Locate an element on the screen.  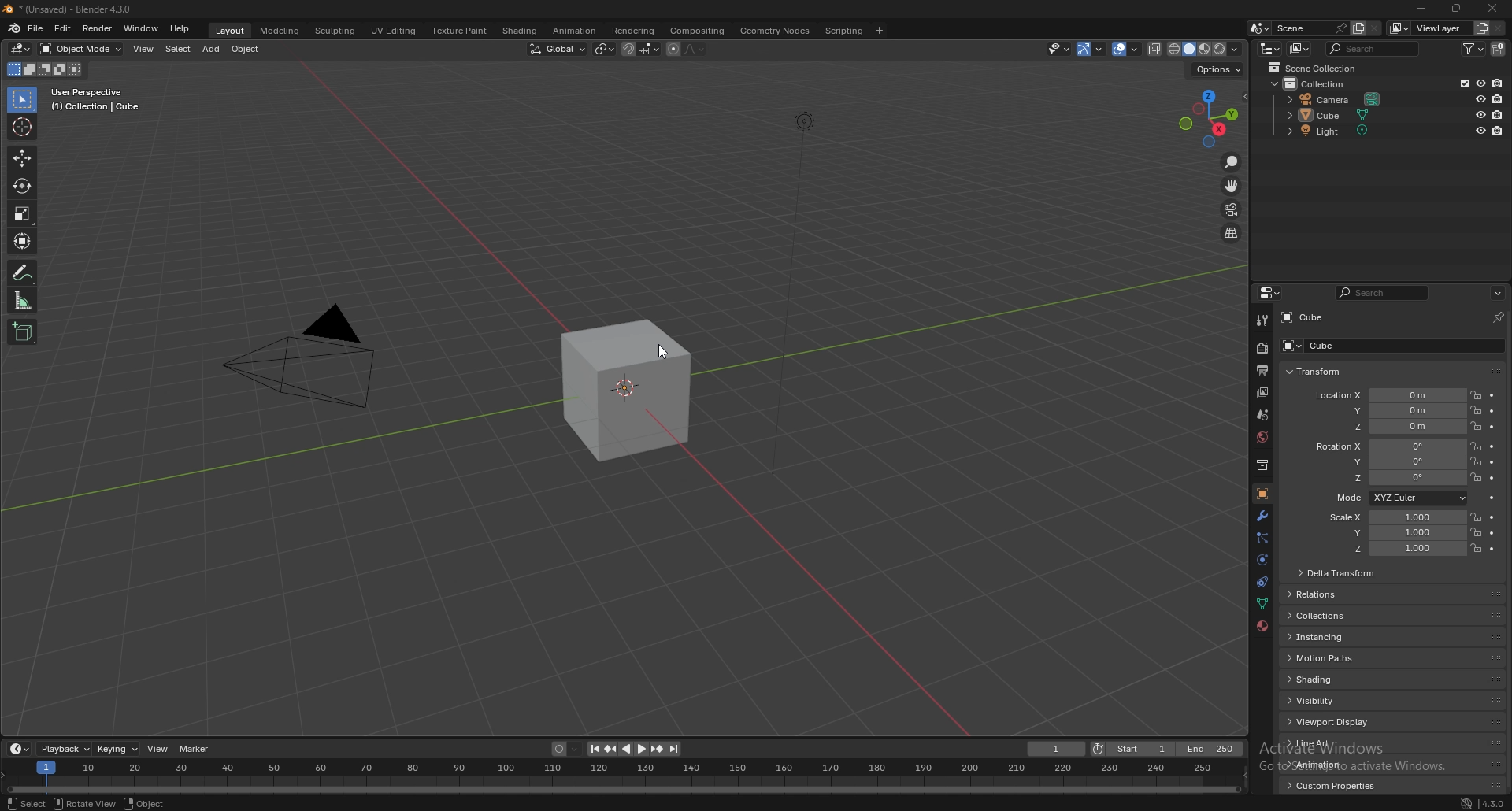
motion paths is located at coordinates (1324, 658).